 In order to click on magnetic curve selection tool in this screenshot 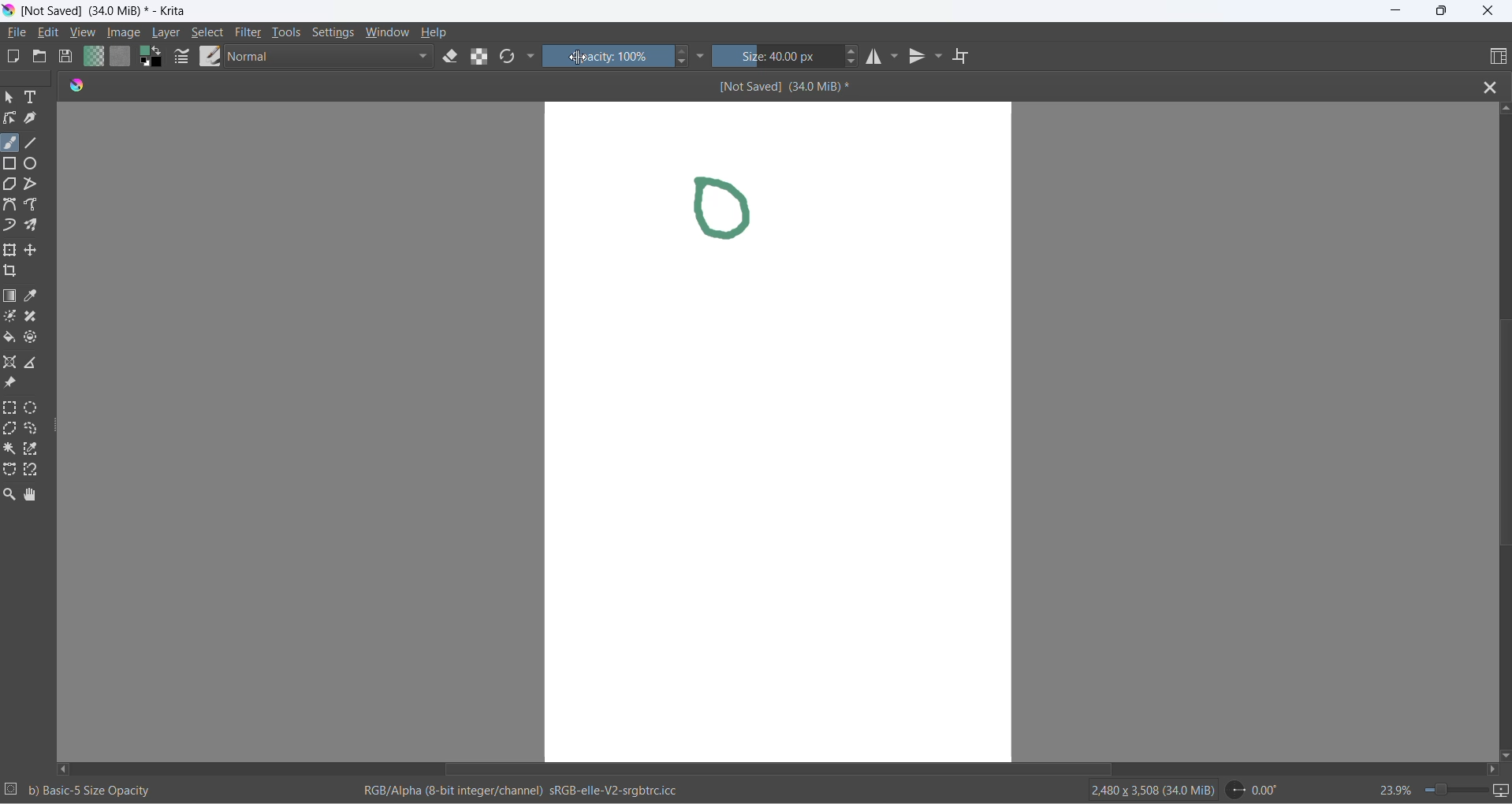, I will do `click(34, 471)`.